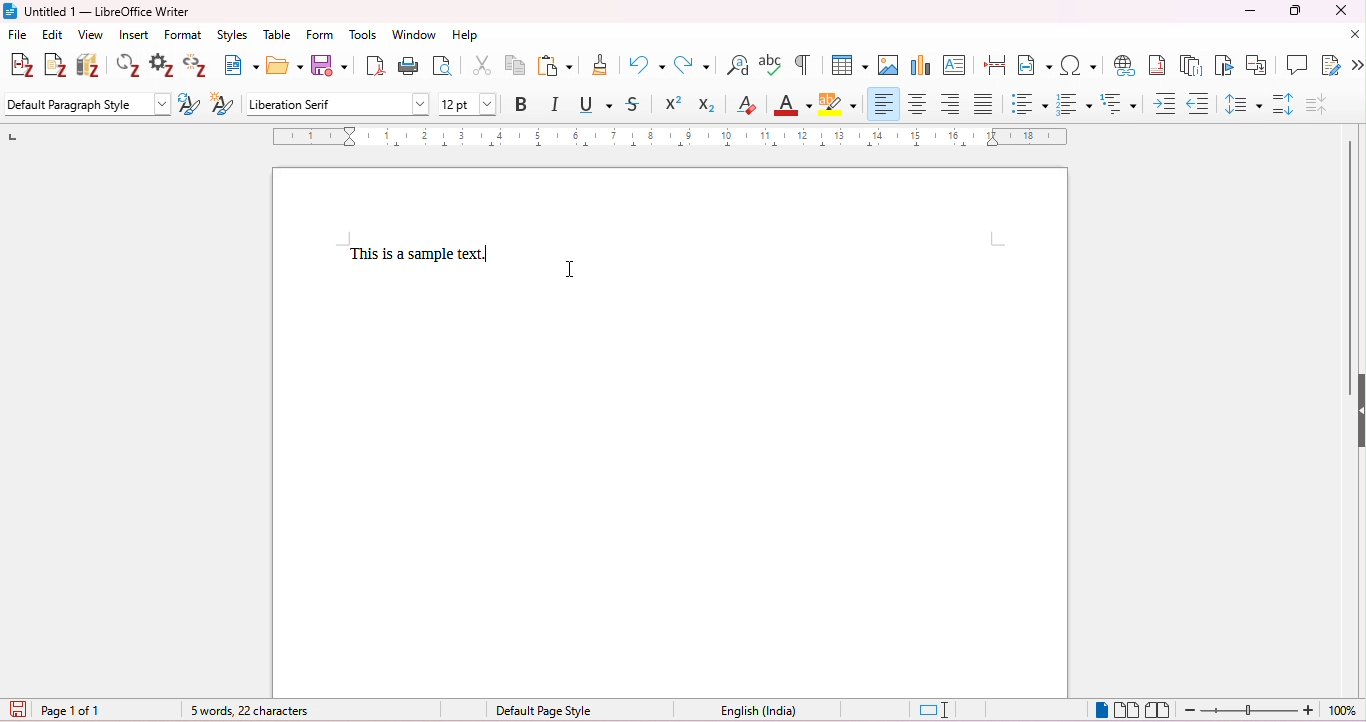 The height and width of the screenshot is (722, 1366). Describe the element at coordinates (1284, 105) in the screenshot. I see `increase paragraph spacing` at that location.